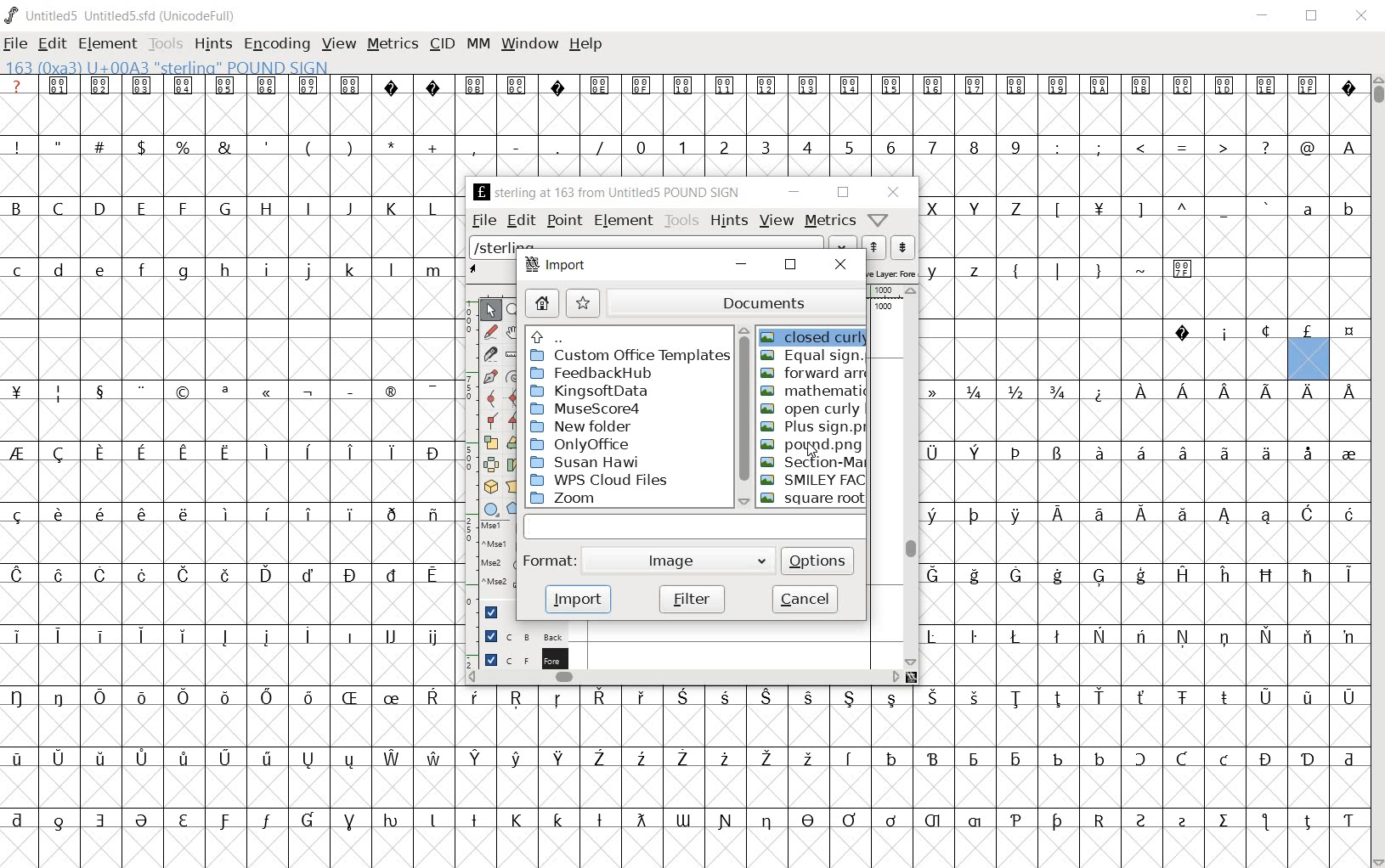 The image size is (1385, 868). What do you see at coordinates (223, 208) in the screenshot?
I see `G` at bounding box center [223, 208].